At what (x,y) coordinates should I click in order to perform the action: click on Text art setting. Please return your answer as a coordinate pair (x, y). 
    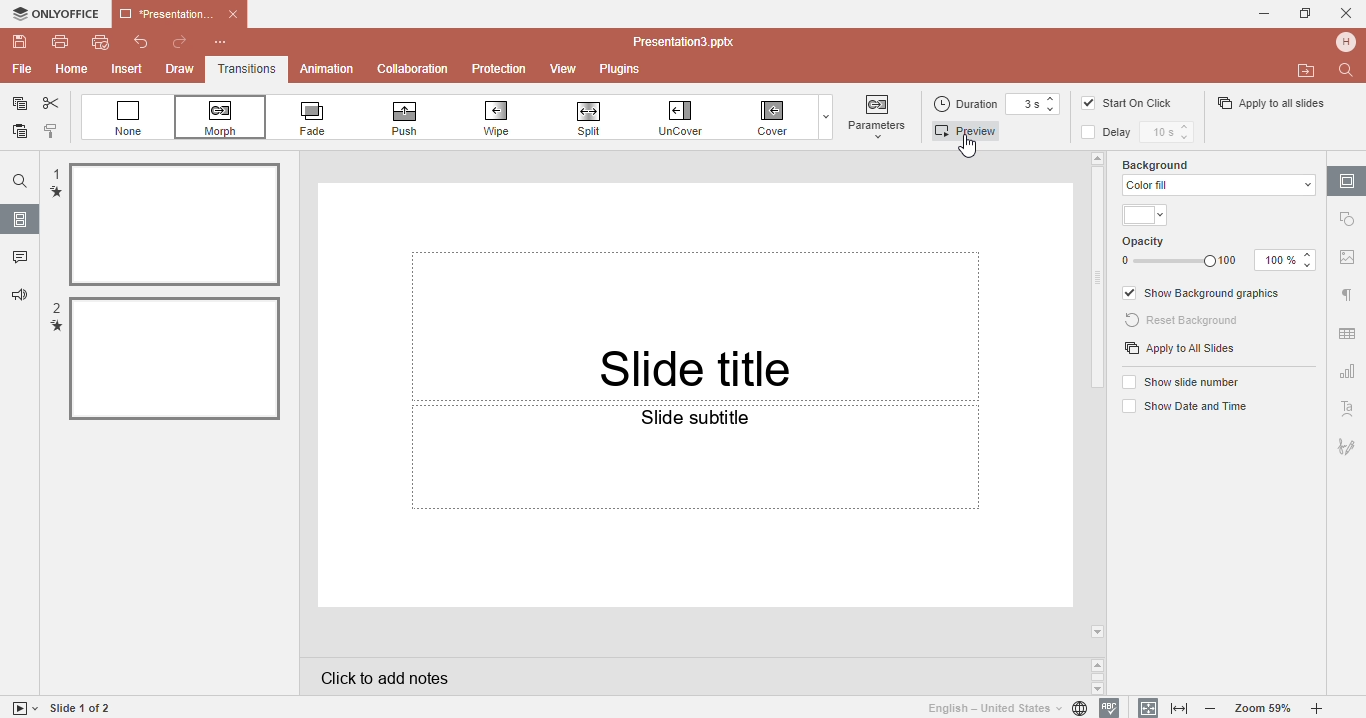
    Looking at the image, I should click on (1347, 408).